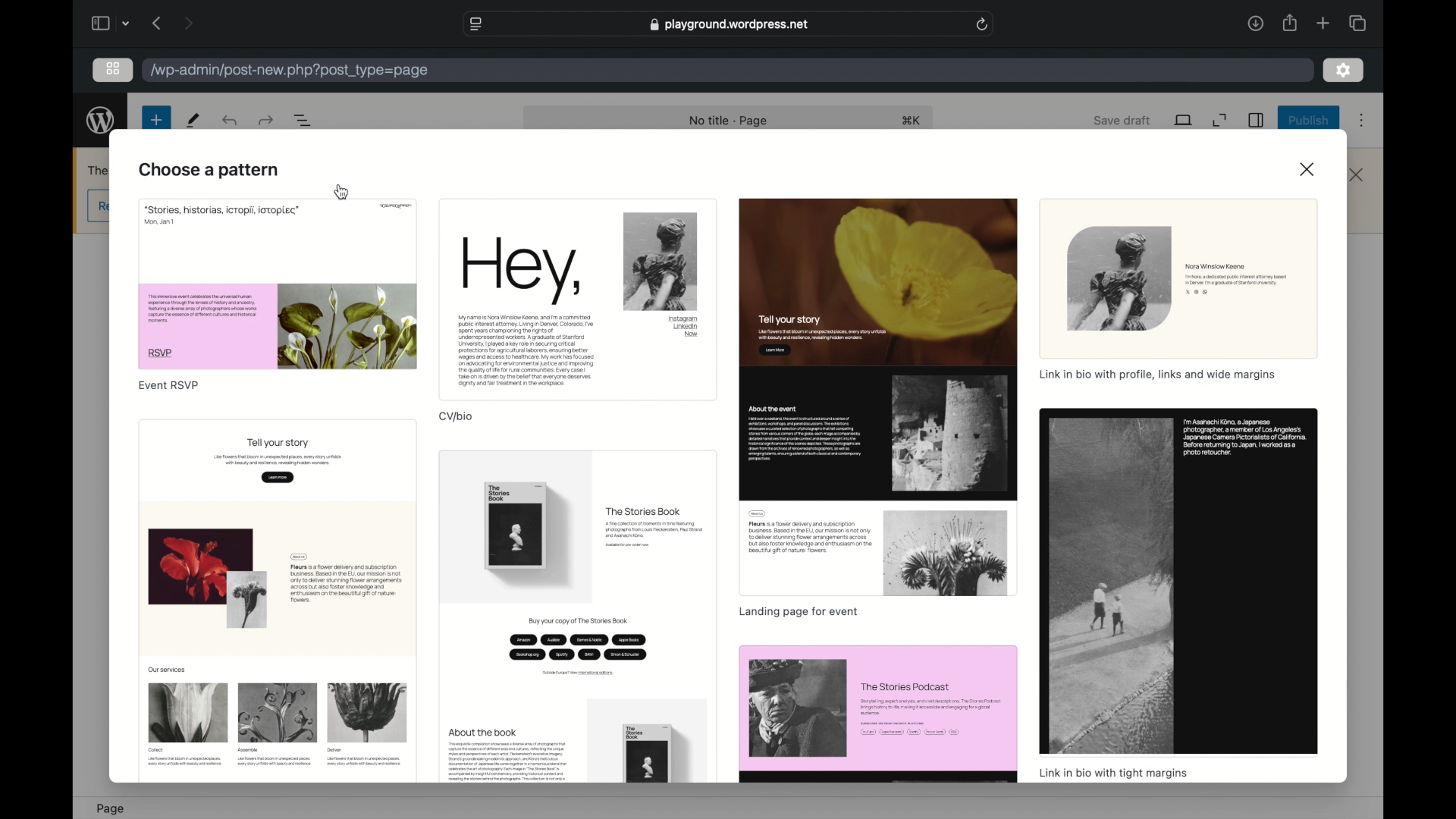 Image resolution: width=1456 pixels, height=819 pixels. I want to click on expand, so click(1219, 120).